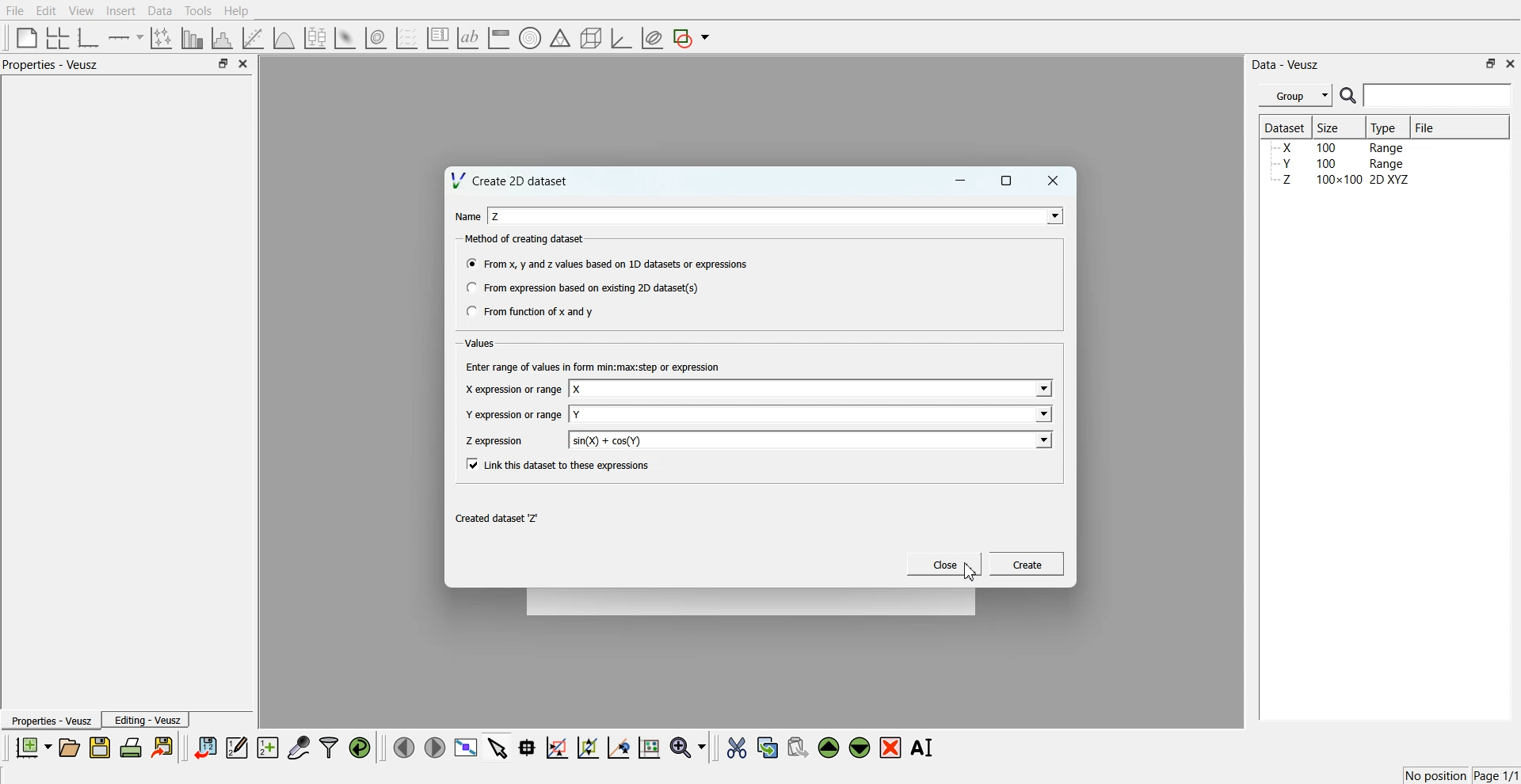  I want to click on |  (& Fromx, y and z values based on 1D datasets or expressions, so click(608, 262).